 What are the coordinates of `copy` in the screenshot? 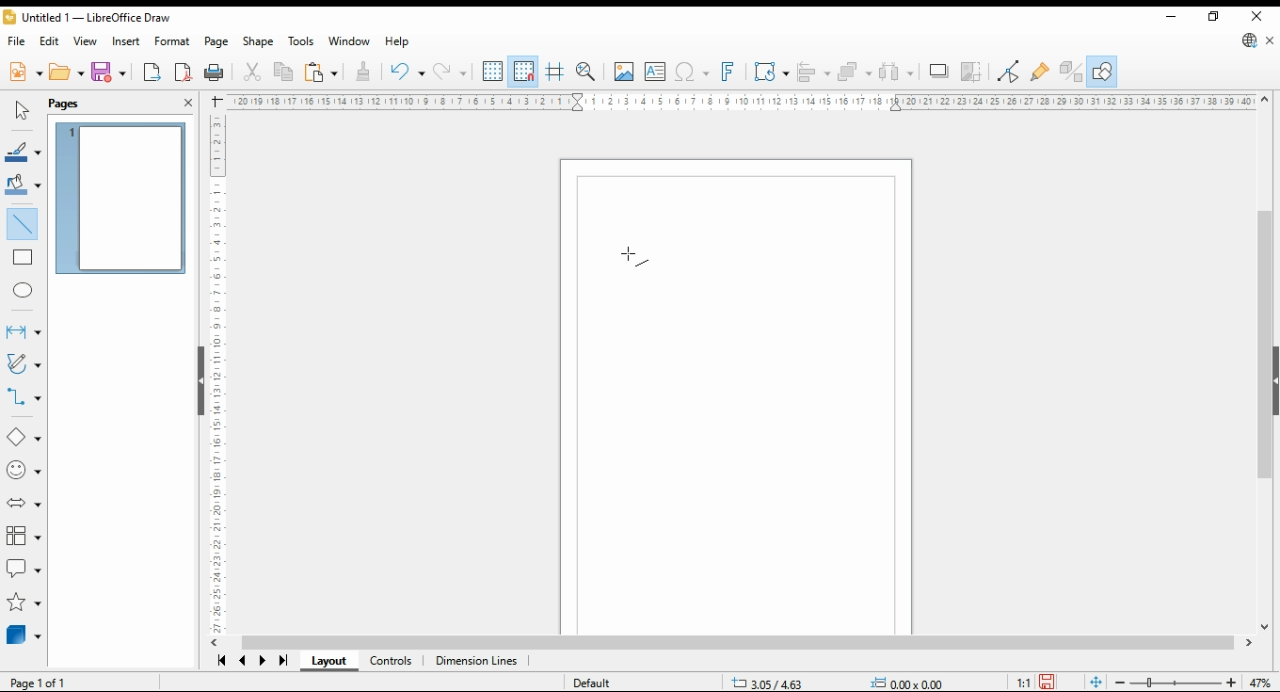 It's located at (282, 73).